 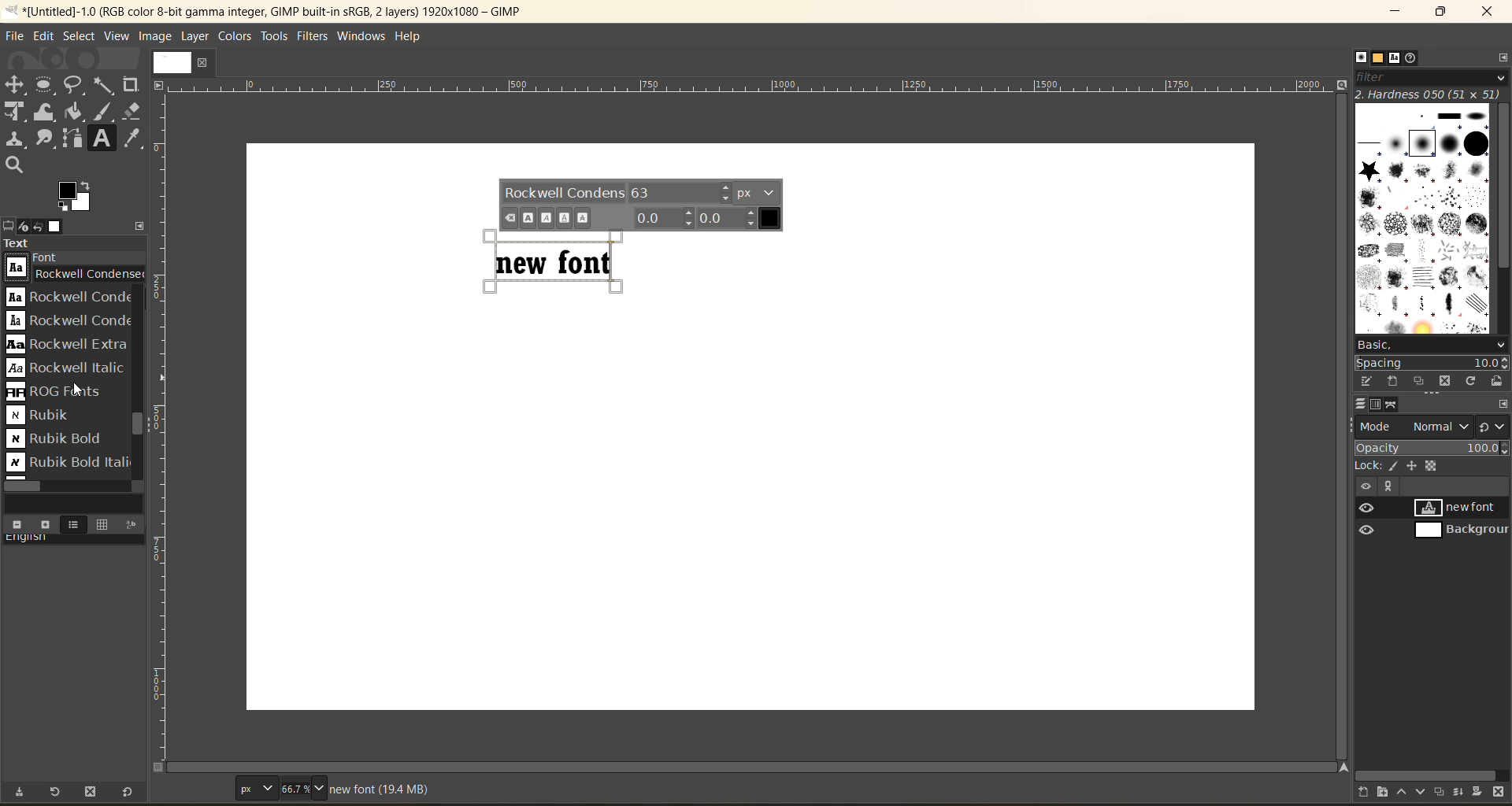 What do you see at coordinates (25, 486) in the screenshot?
I see `horizontal scroll bar` at bounding box center [25, 486].